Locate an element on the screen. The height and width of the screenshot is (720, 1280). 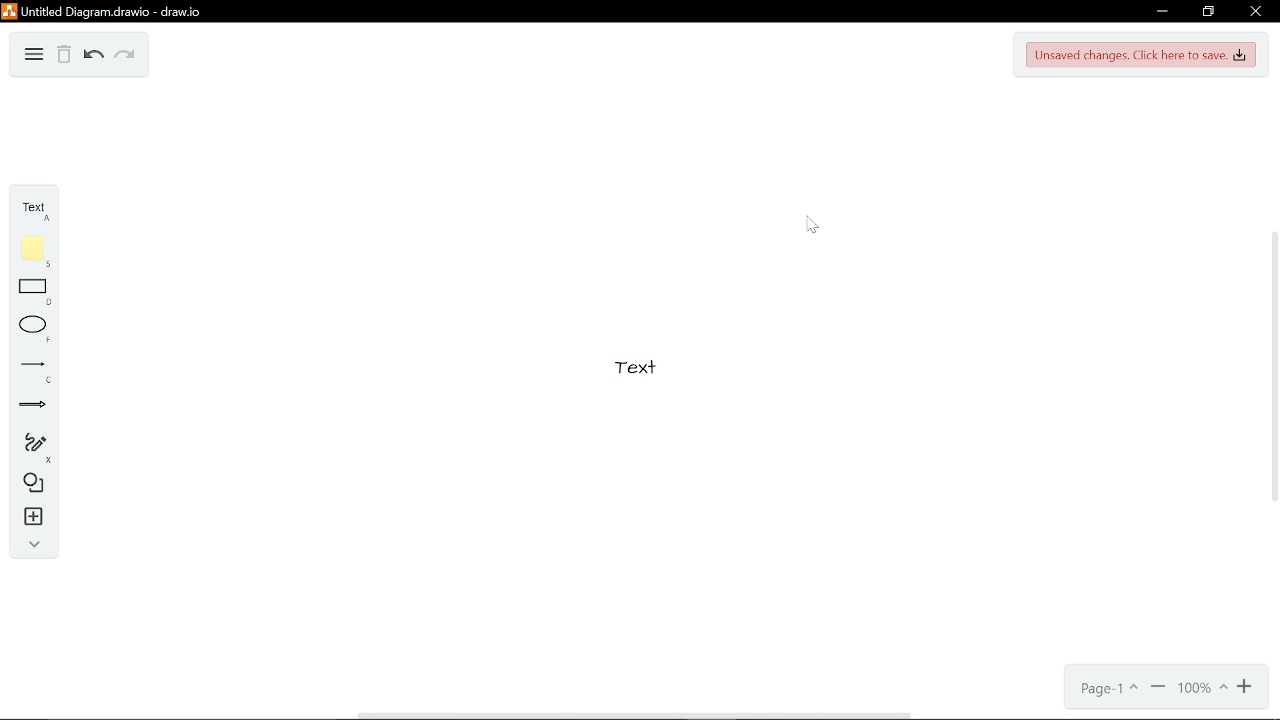
Text added is located at coordinates (646, 376).